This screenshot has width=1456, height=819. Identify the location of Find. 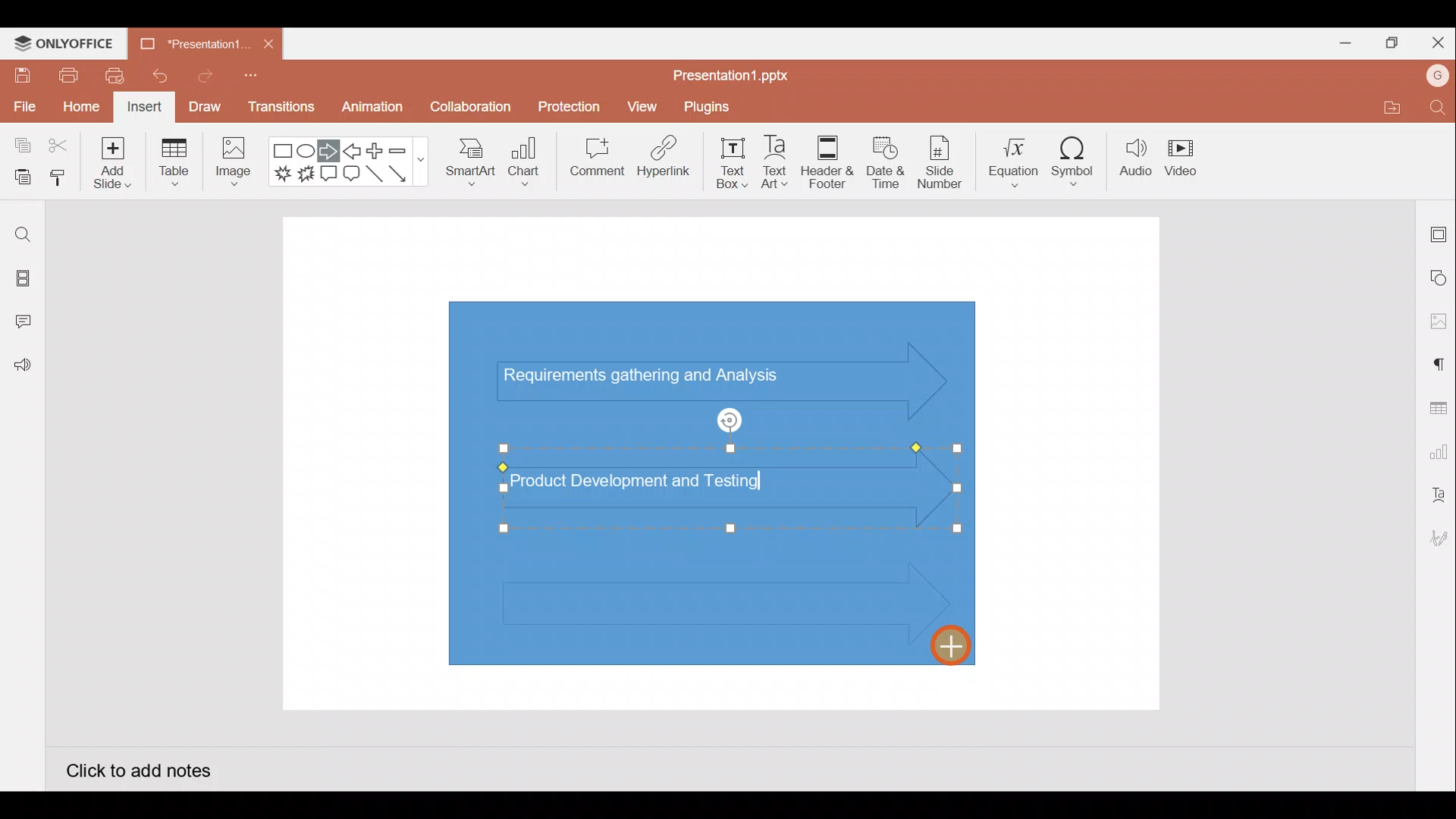
(23, 234).